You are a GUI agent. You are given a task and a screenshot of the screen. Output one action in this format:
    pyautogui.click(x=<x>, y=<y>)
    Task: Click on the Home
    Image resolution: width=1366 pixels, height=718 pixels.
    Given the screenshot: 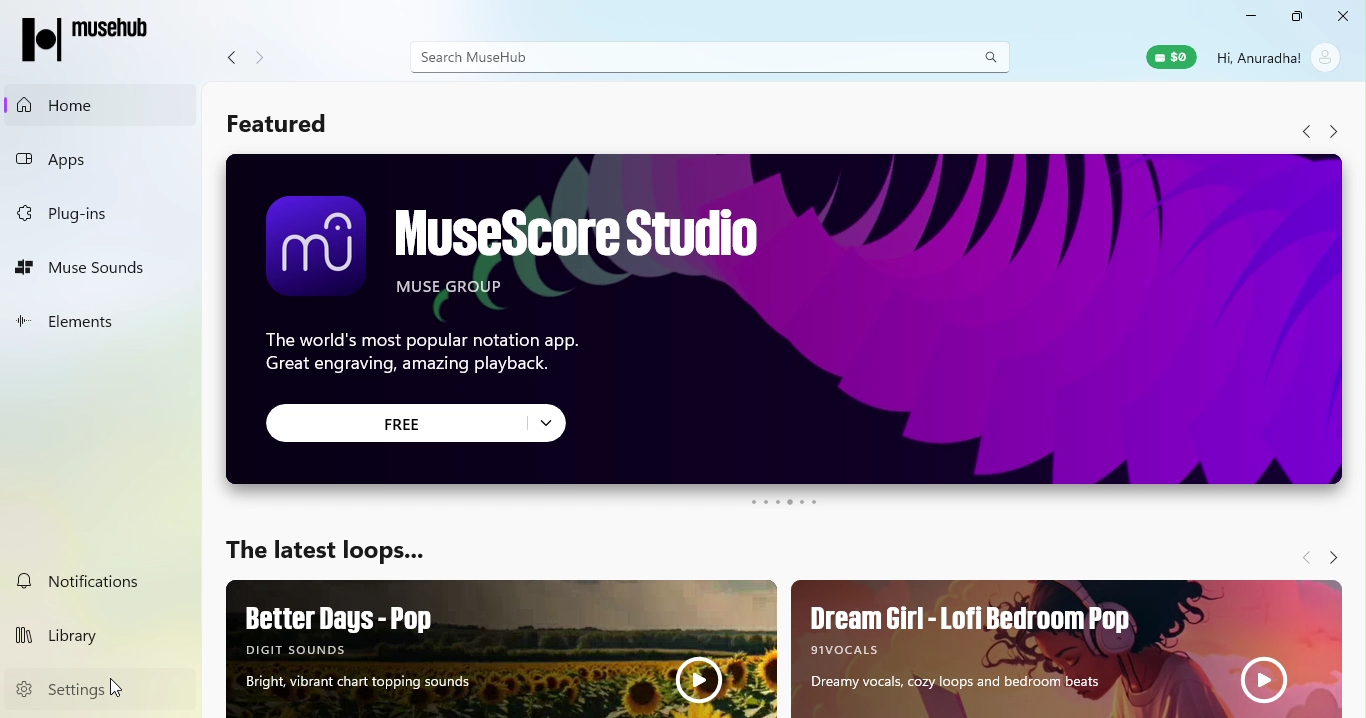 What is the action you would take?
    pyautogui.click(x=90, y=104)
    